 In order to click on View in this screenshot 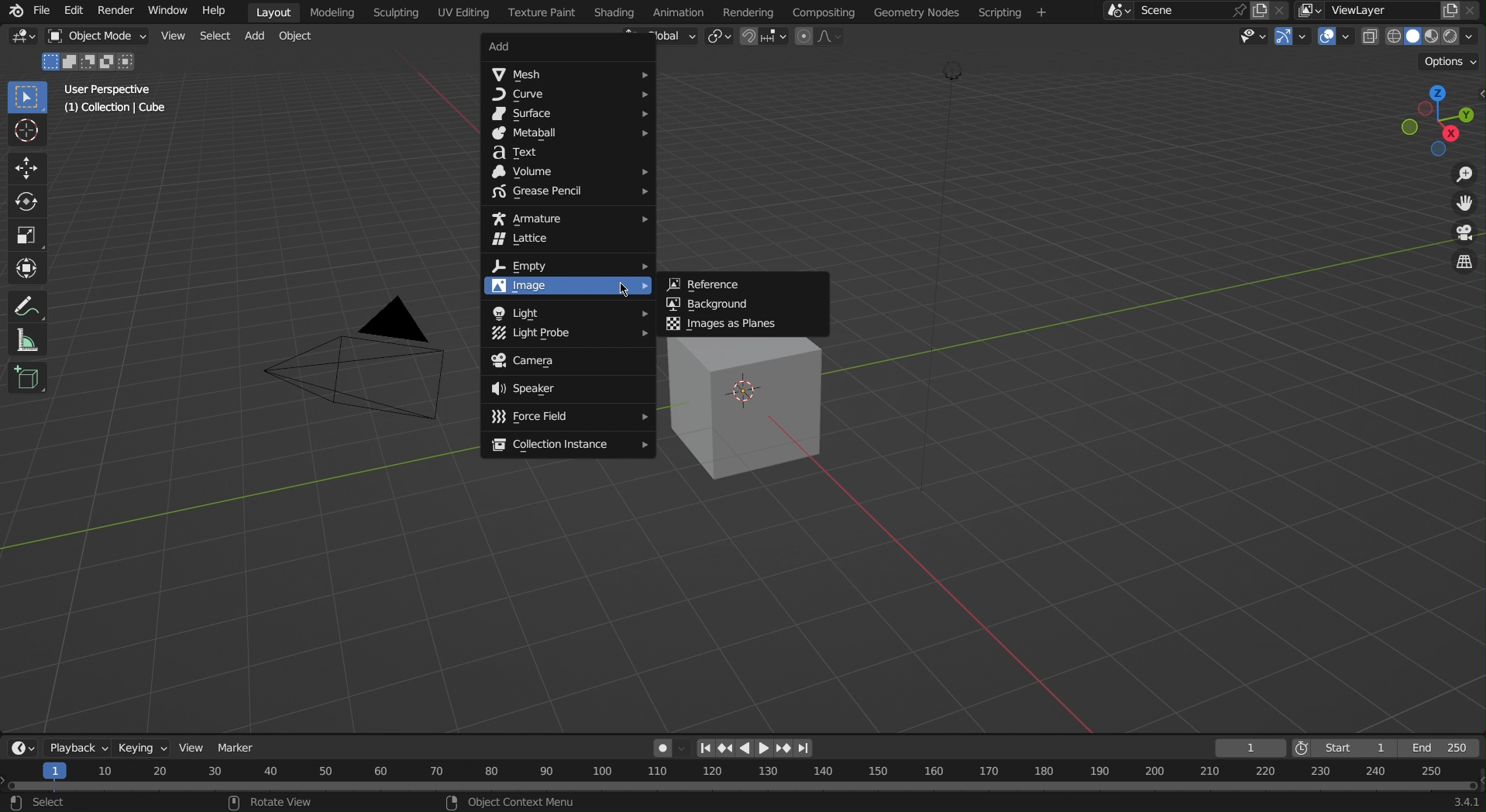, I will do `click(170, 38)`.